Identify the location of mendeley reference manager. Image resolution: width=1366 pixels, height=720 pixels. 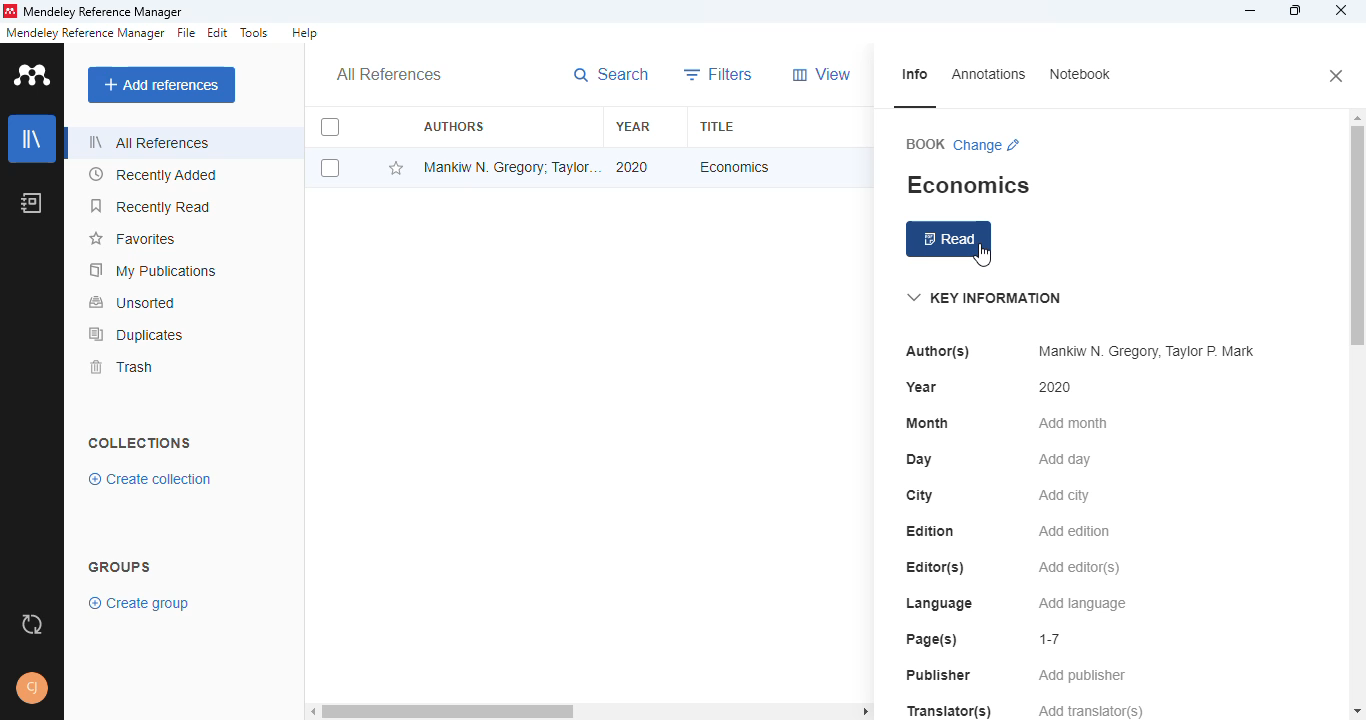
(102, 13).